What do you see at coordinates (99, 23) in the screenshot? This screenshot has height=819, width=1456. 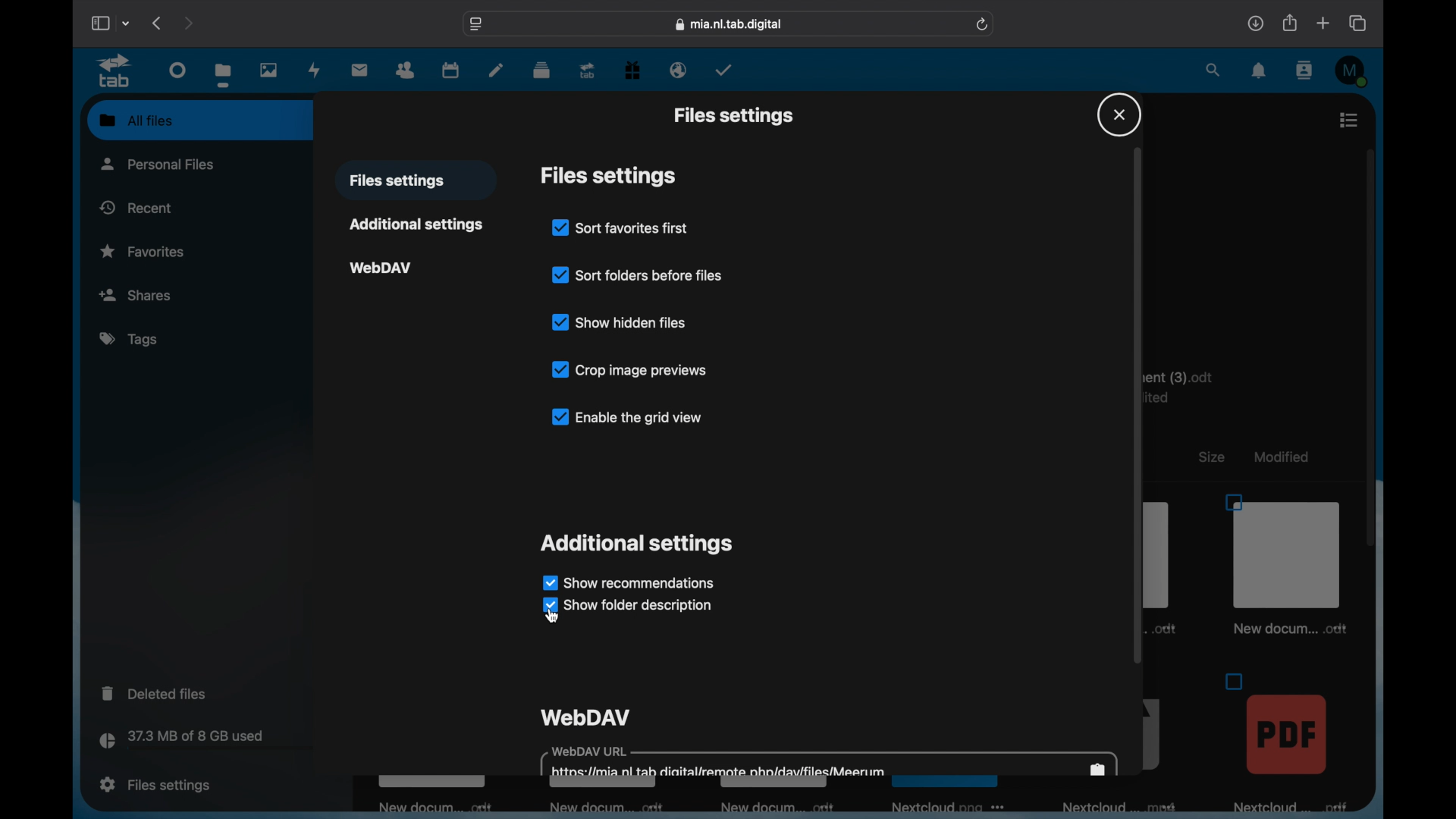 I see `show sidebar` at bounding box center [99, 23].